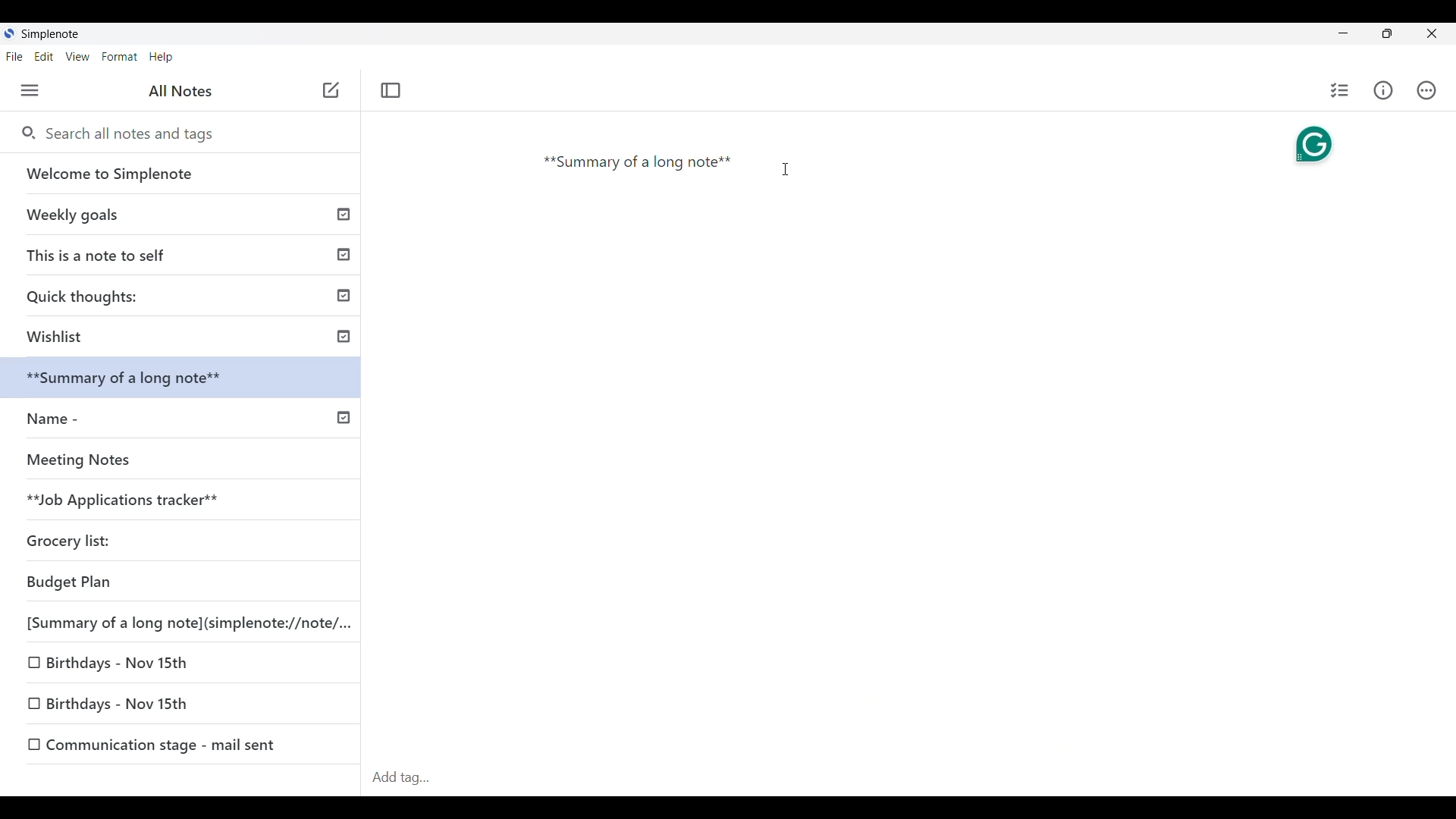 The image size is (1456, 819). What do you see at coordinates (329, 91) in the screenshot?
I see `Add note` at bounding box center [329, 91].